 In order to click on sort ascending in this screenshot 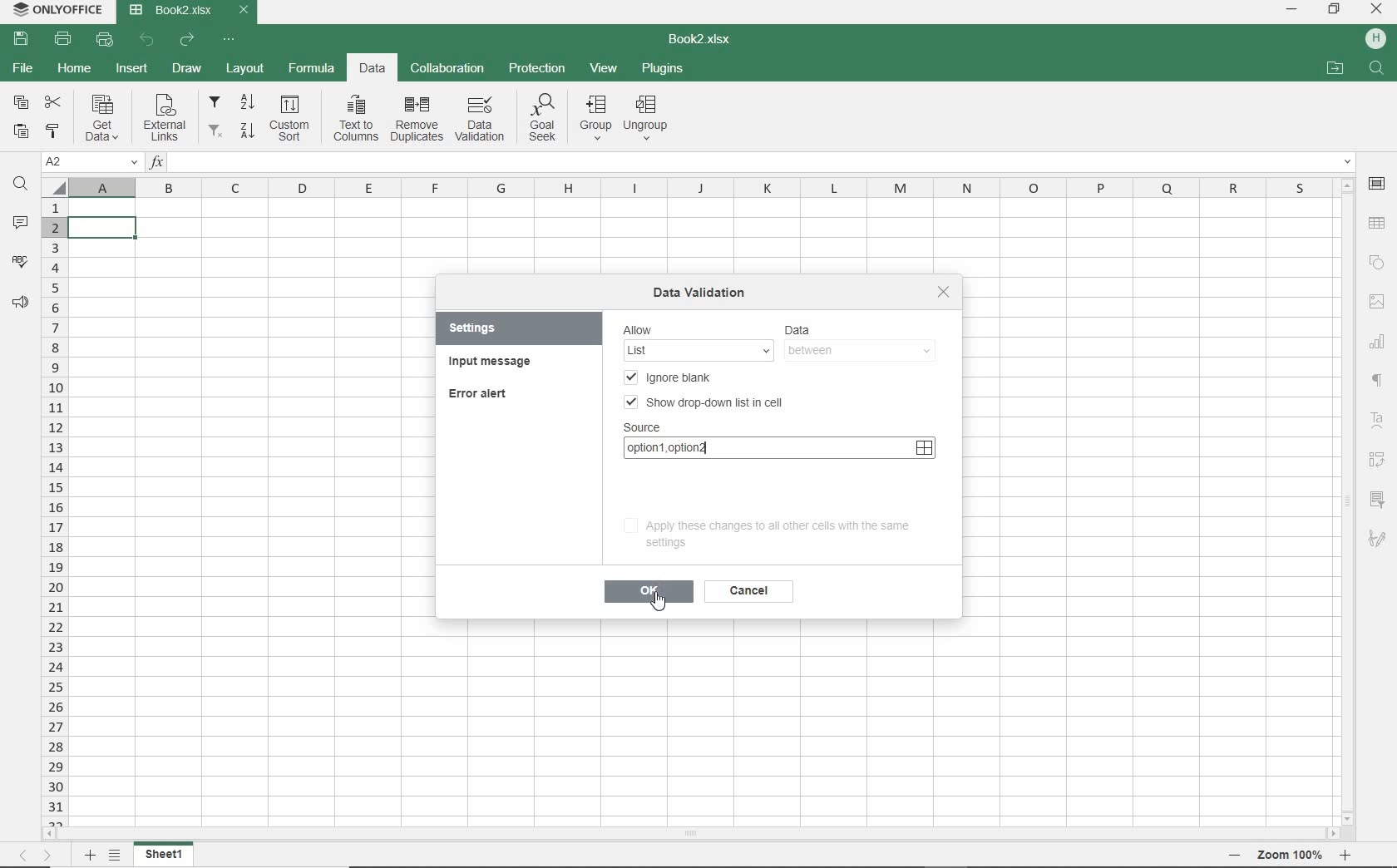, I will do `click(250, 103)`.